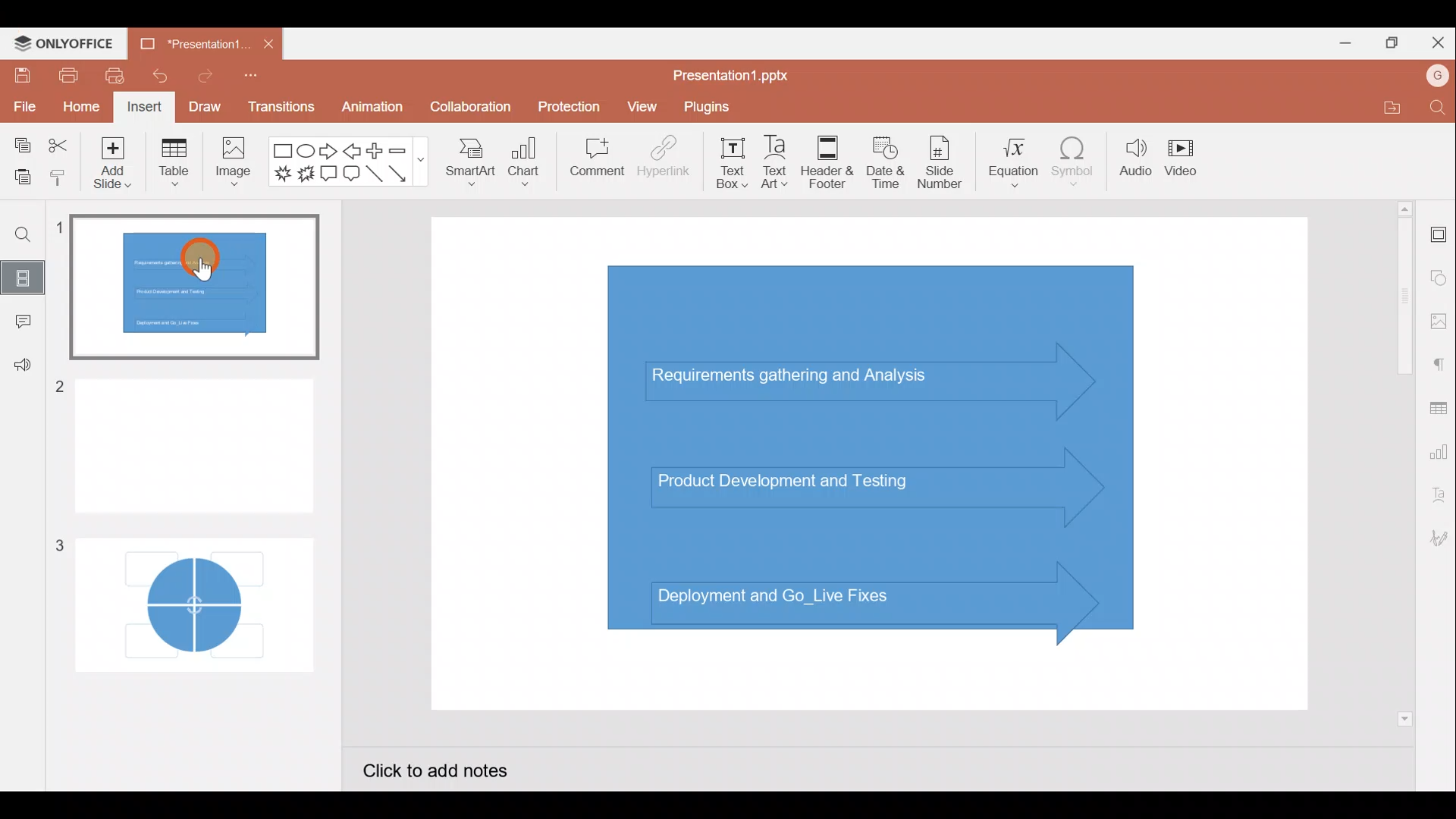 The image size is (1456, 819). I want to click on Explosion 1, so click(281, 172).